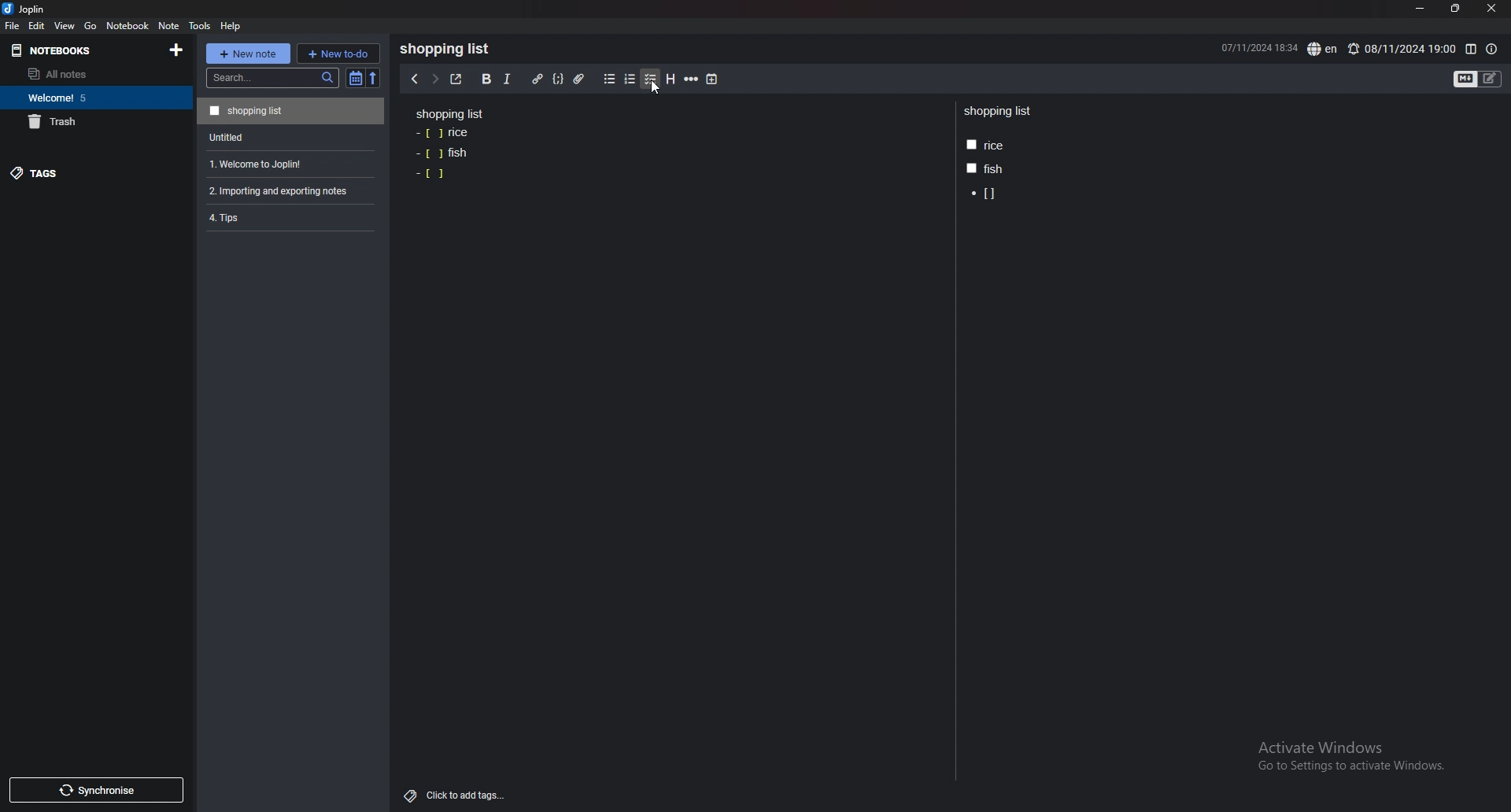 The image size is (1511, 812). I want to click on note, so click(170, 26).